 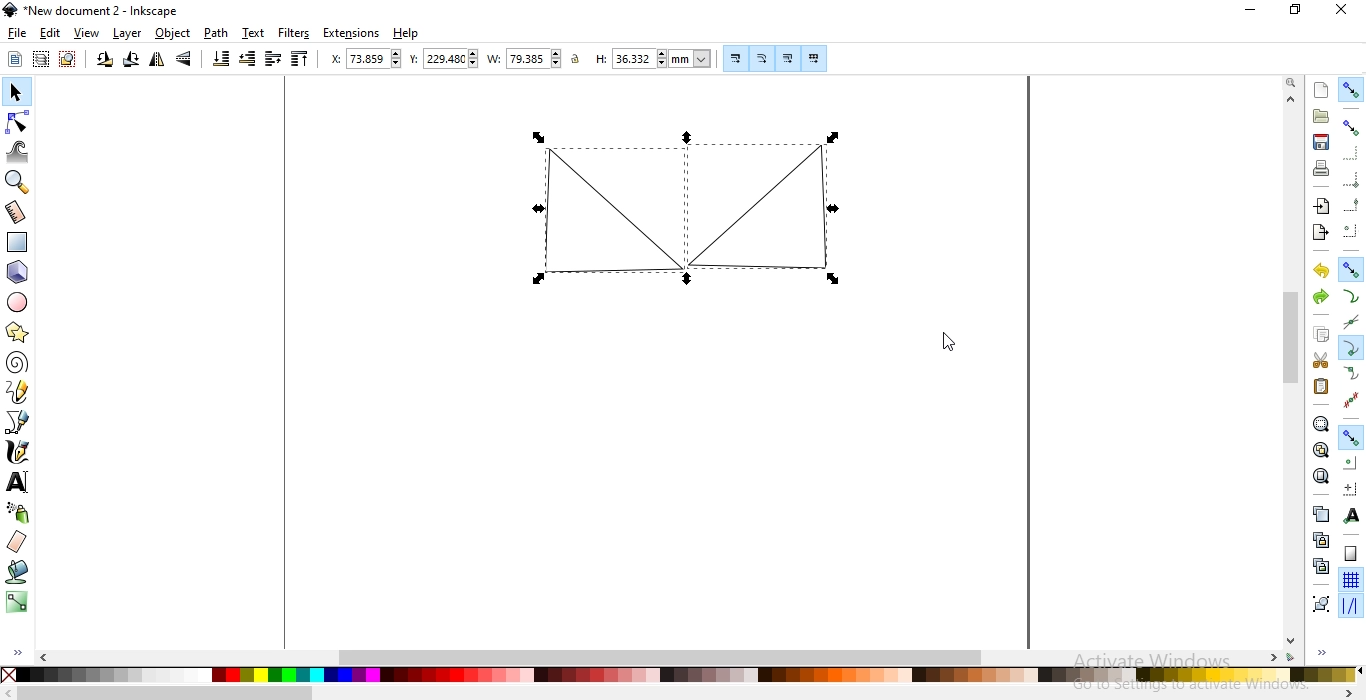 What do you see at coordinates (359, 58) in the screenshot?
I see `horizontal coordinate of selection` at bounding box center [359, 58].